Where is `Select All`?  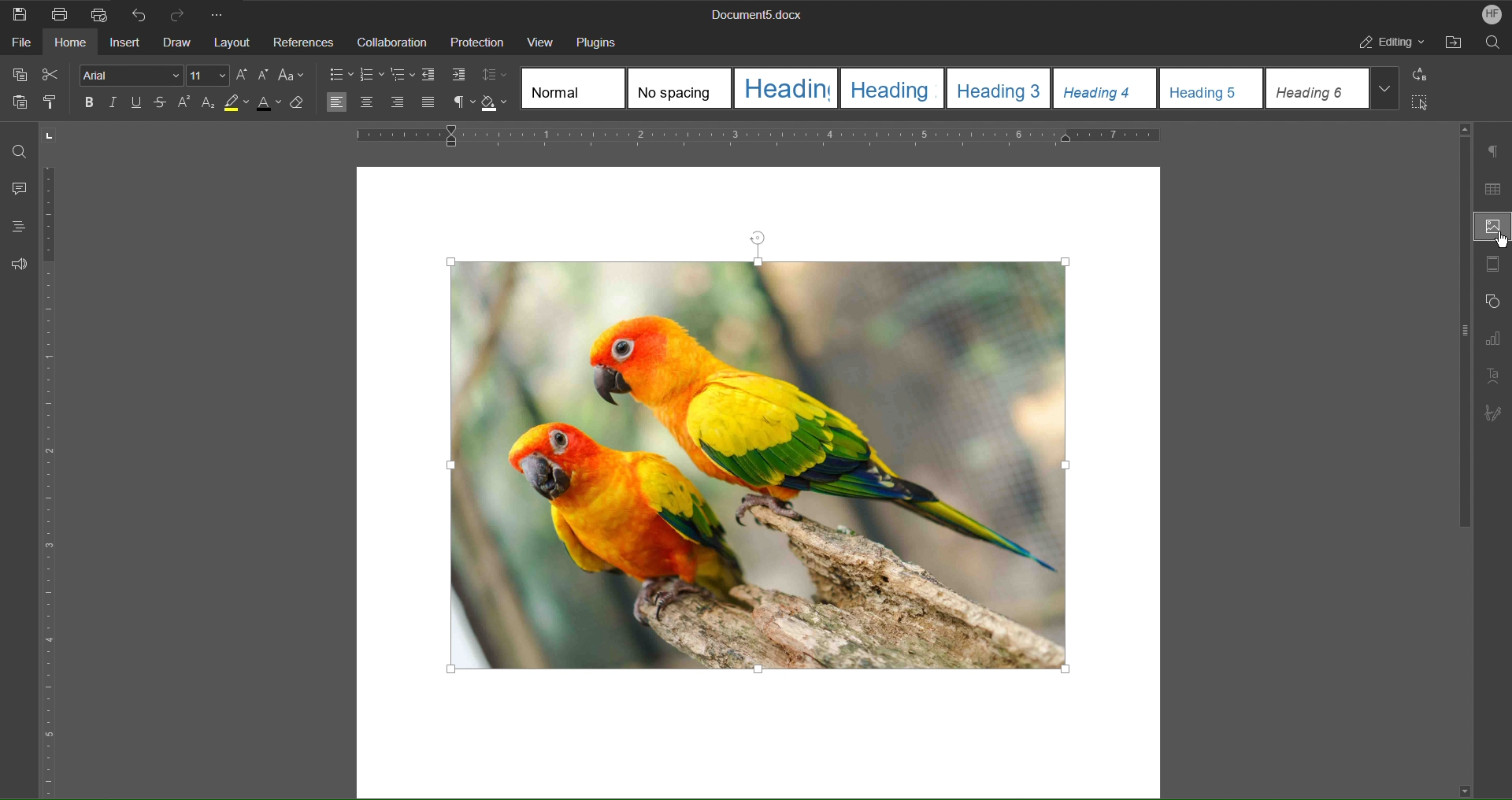
Select All is located at coordinates (1425, 106).